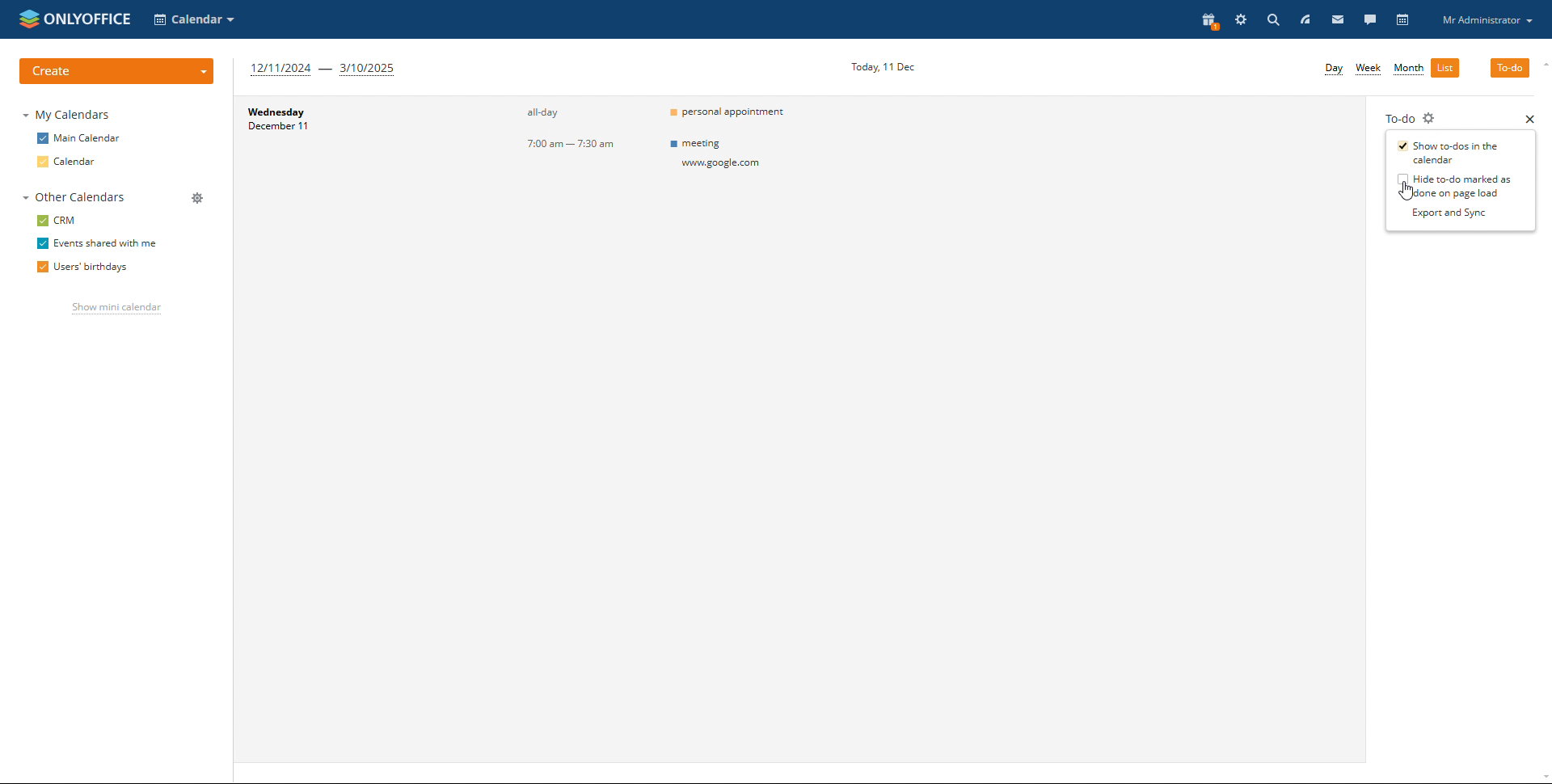  What do you see at coordinates (1455, 213) in the screenshot?
I see `export and sync` at bounding box center [1455, 213].